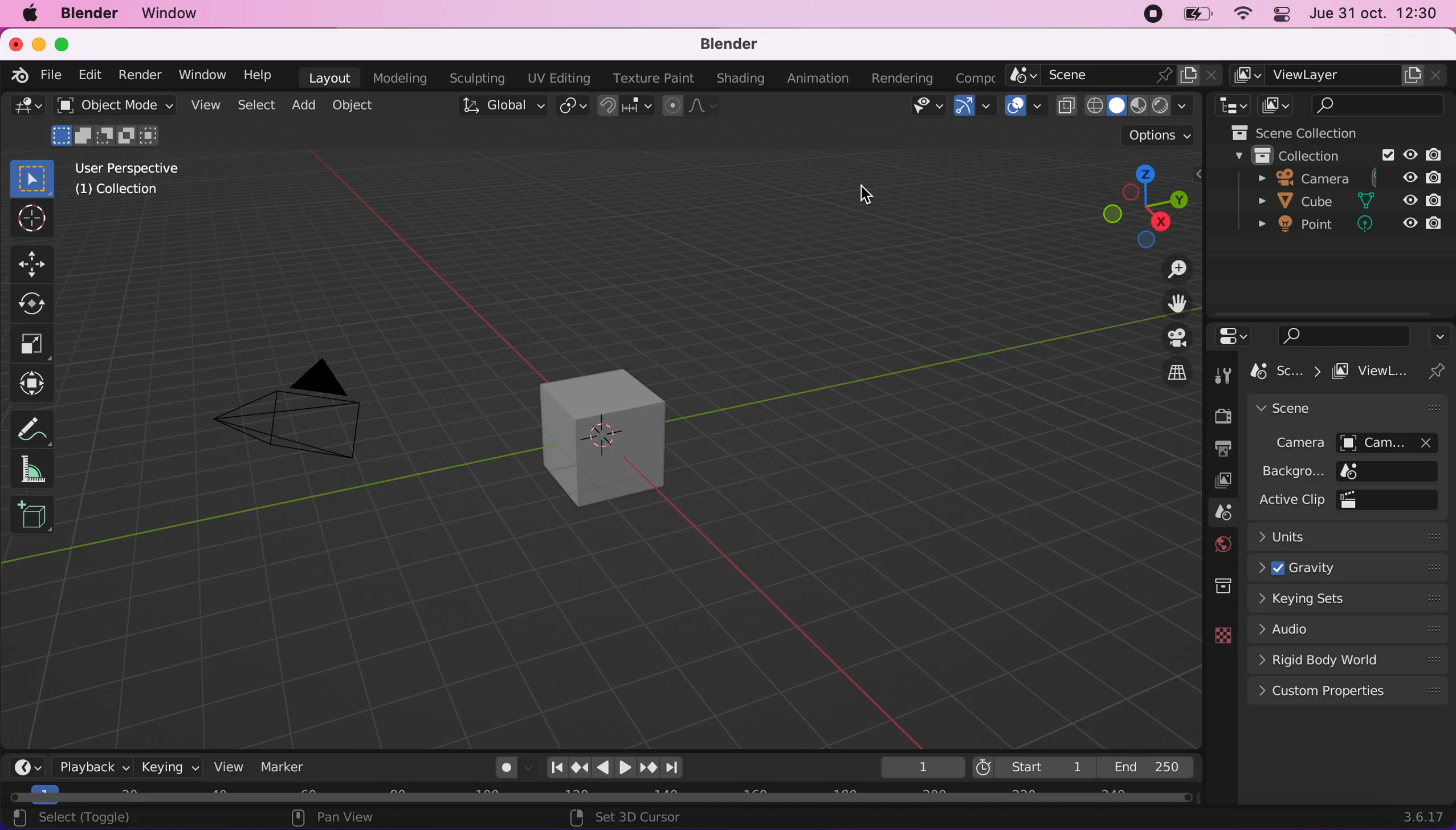 The height and width of the screenshot is (830, 1456). What do you see at coordinates (364, 107) in the screenshot?
I see `object` at bounding box center [364, 107].